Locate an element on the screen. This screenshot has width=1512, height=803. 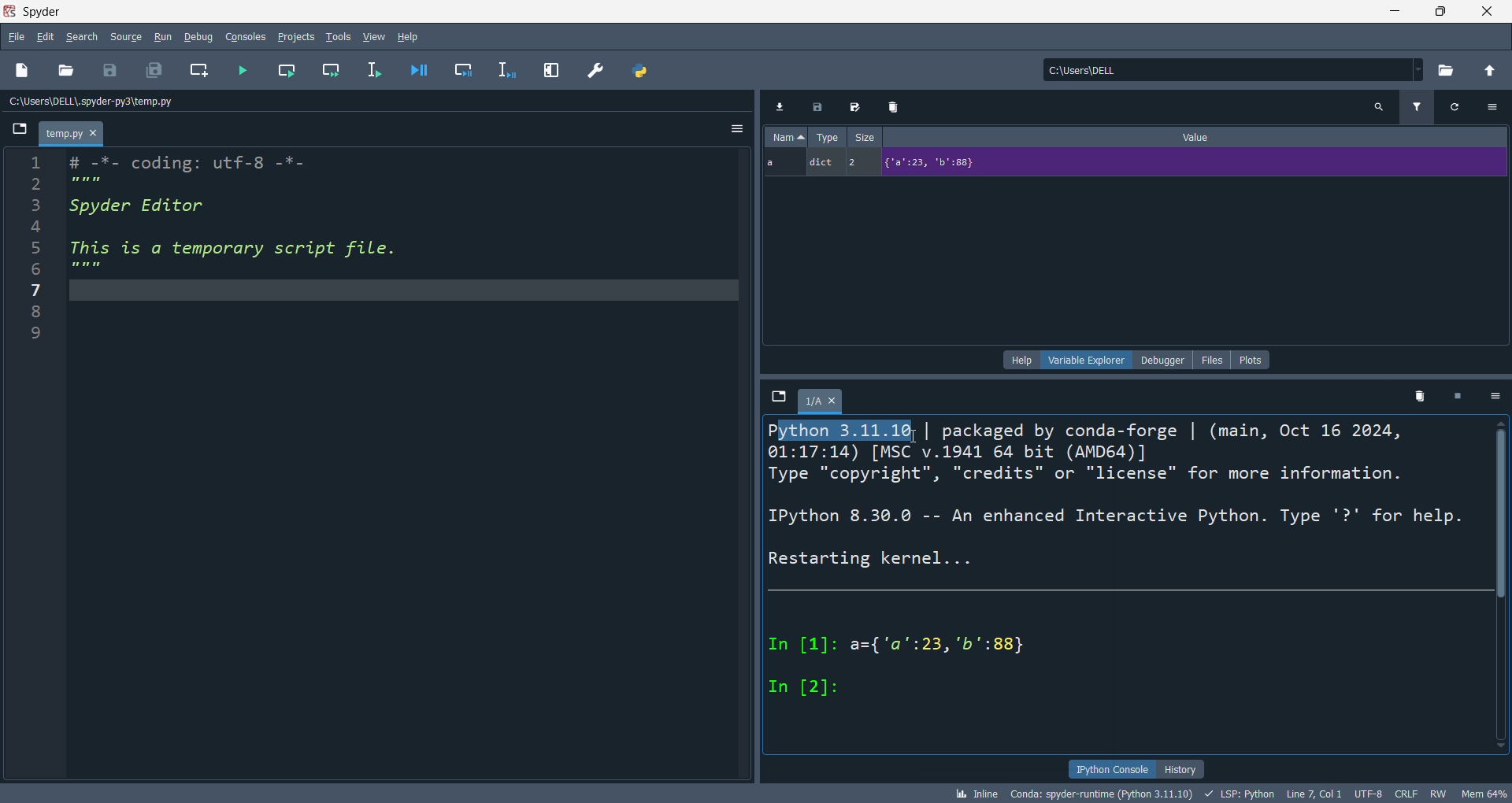
refresh is located at coordinates (1462, 107).